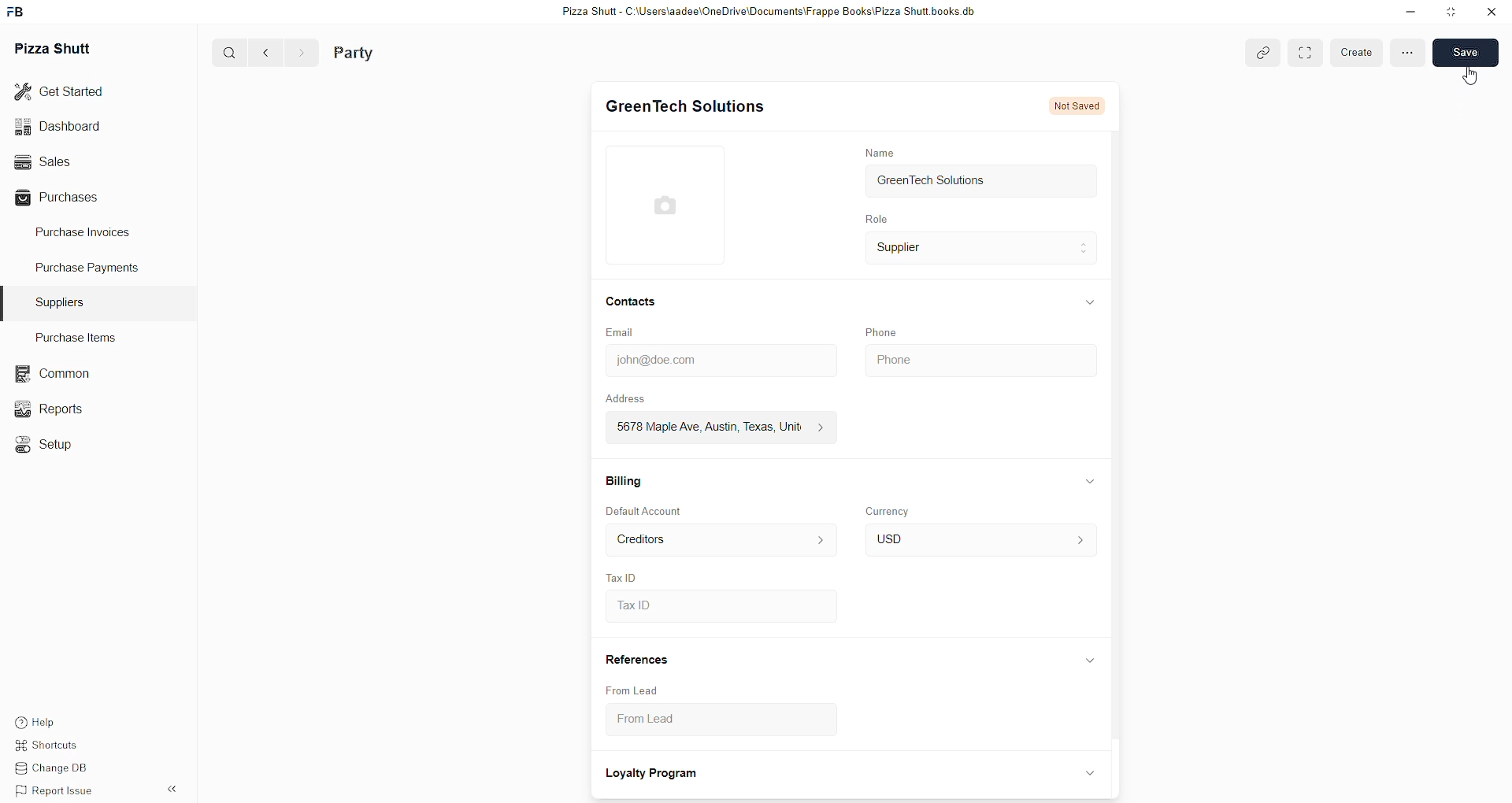 This screenshot has height=803, width=1512. I want to click on Purchase Invoice, so click(405, 52).